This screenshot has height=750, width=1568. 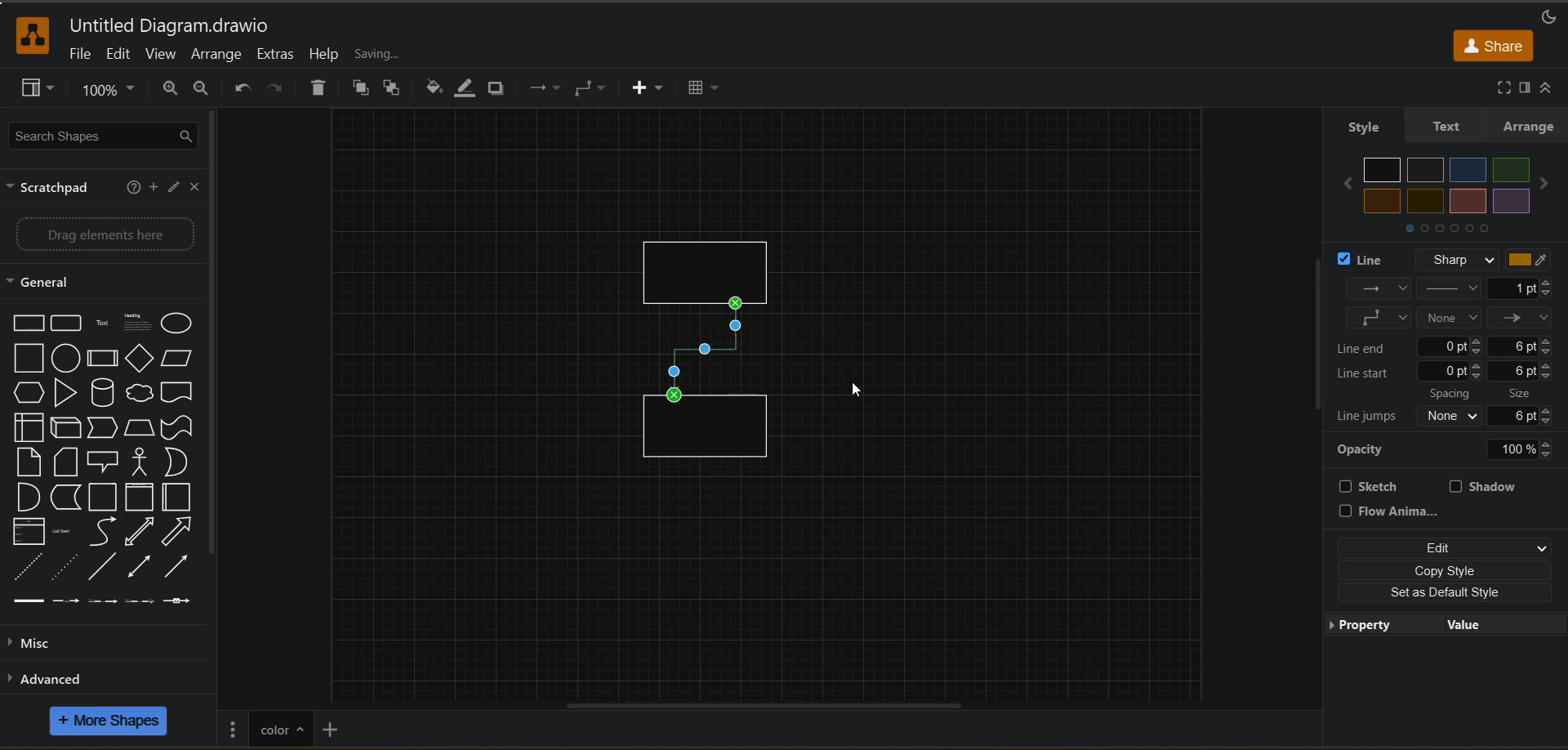 I want to click on collapse/expand, so click(x=1552, y=88).